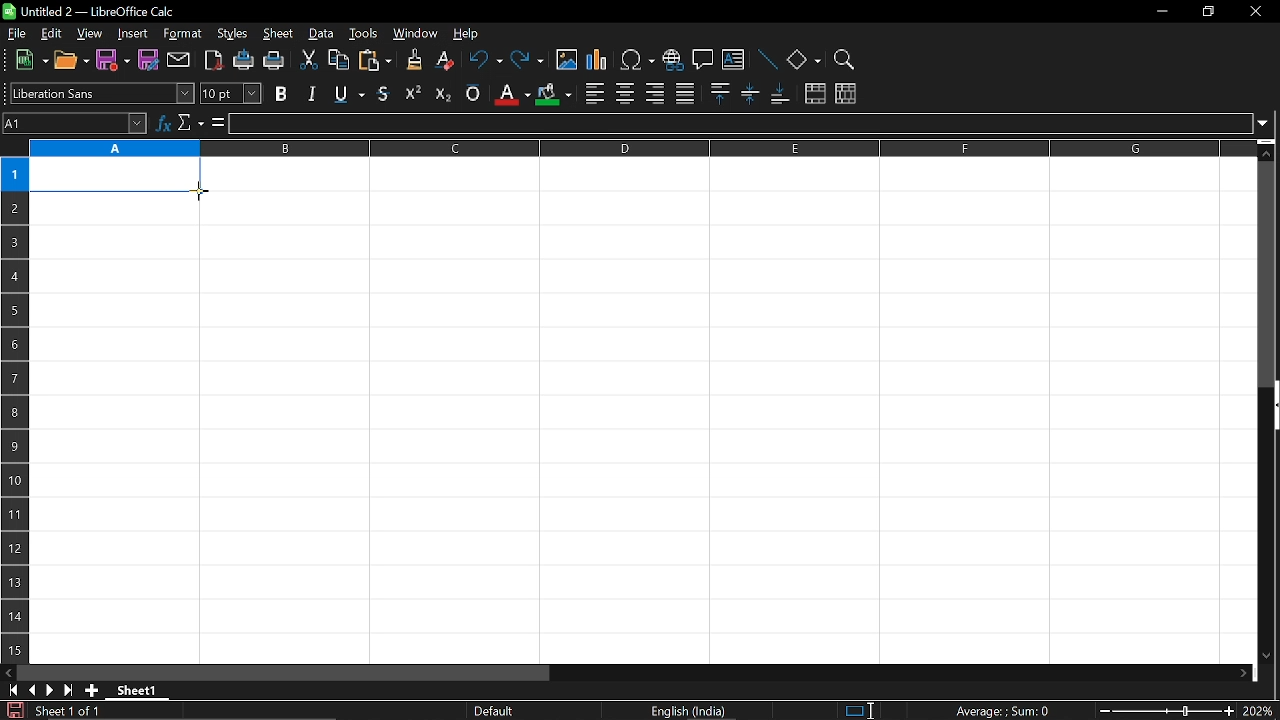  Describe the element at coordinates (310, 60) in the screenshot. I see `cut` at that location.